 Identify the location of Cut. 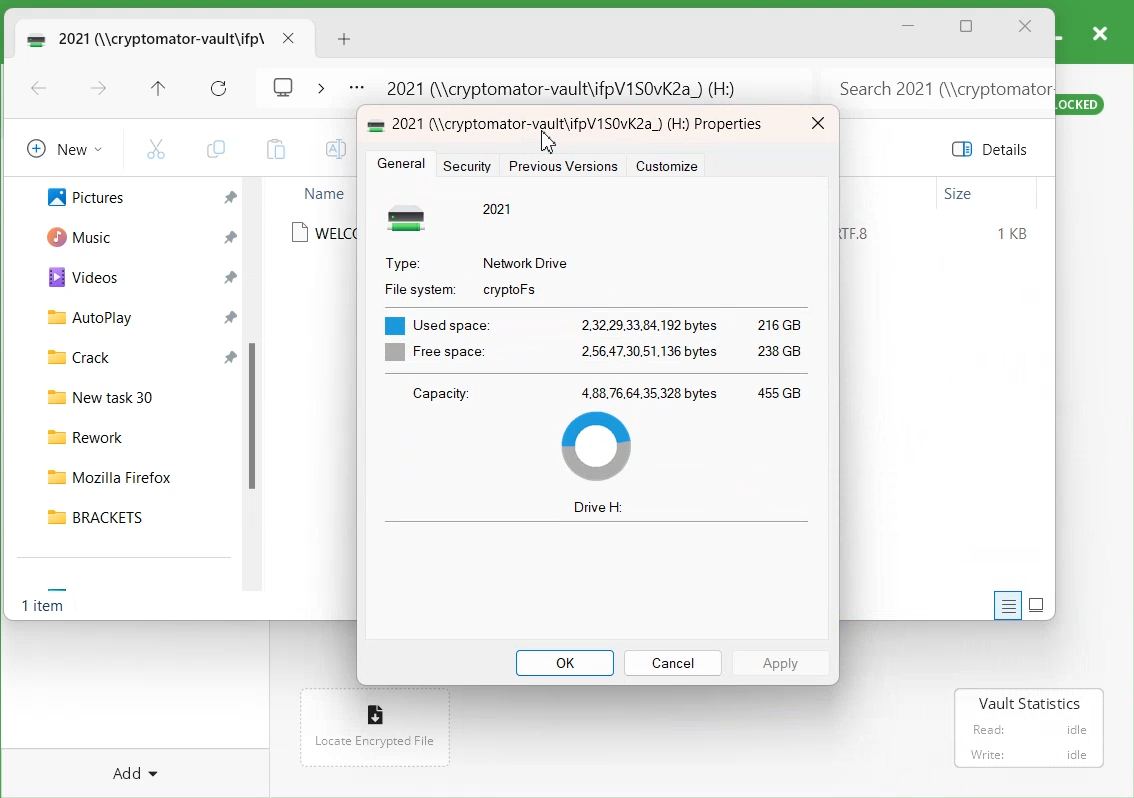
(156, 148).